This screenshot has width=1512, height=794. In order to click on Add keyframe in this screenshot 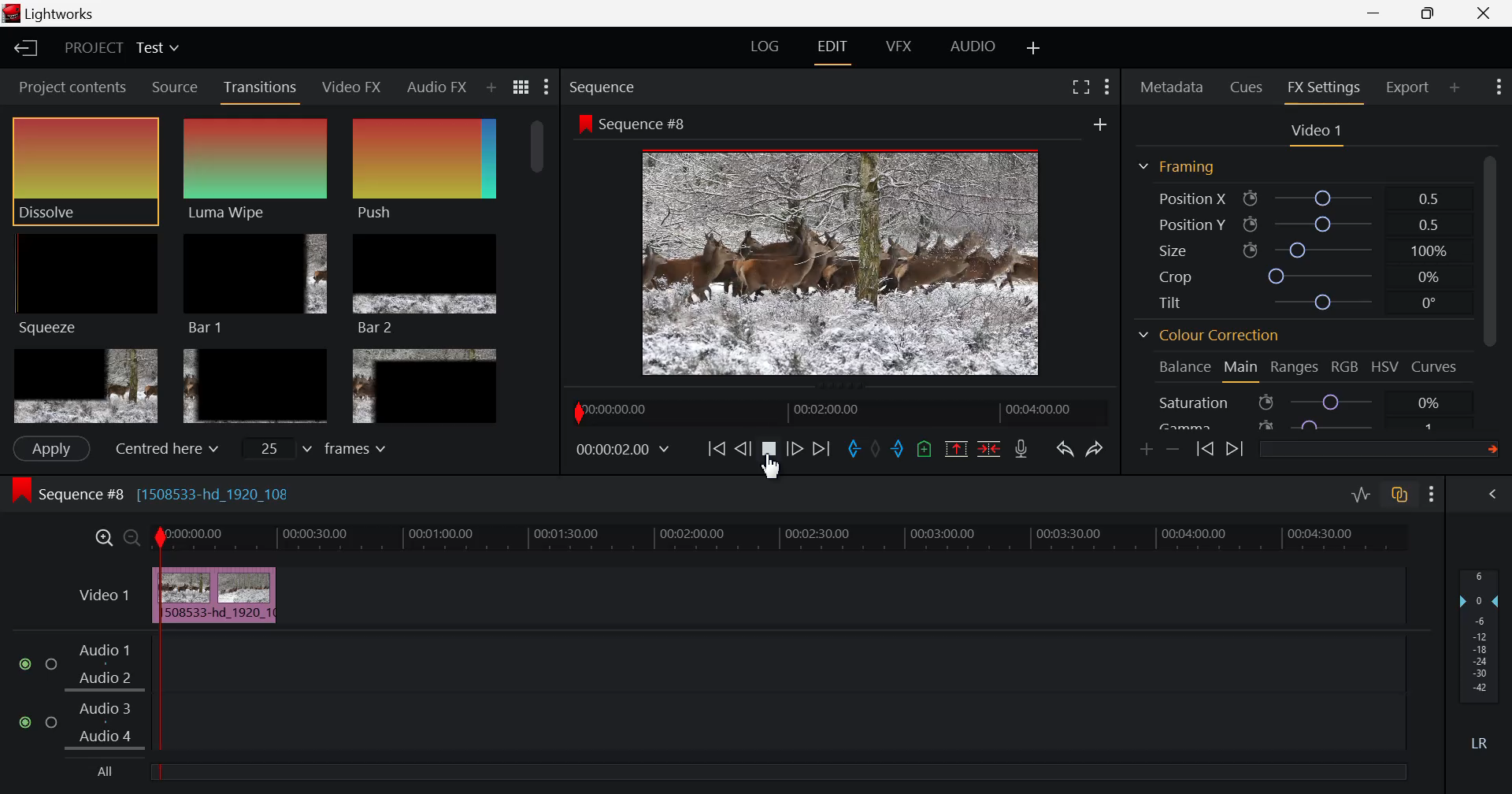, I will do `click(1148, 449)`.